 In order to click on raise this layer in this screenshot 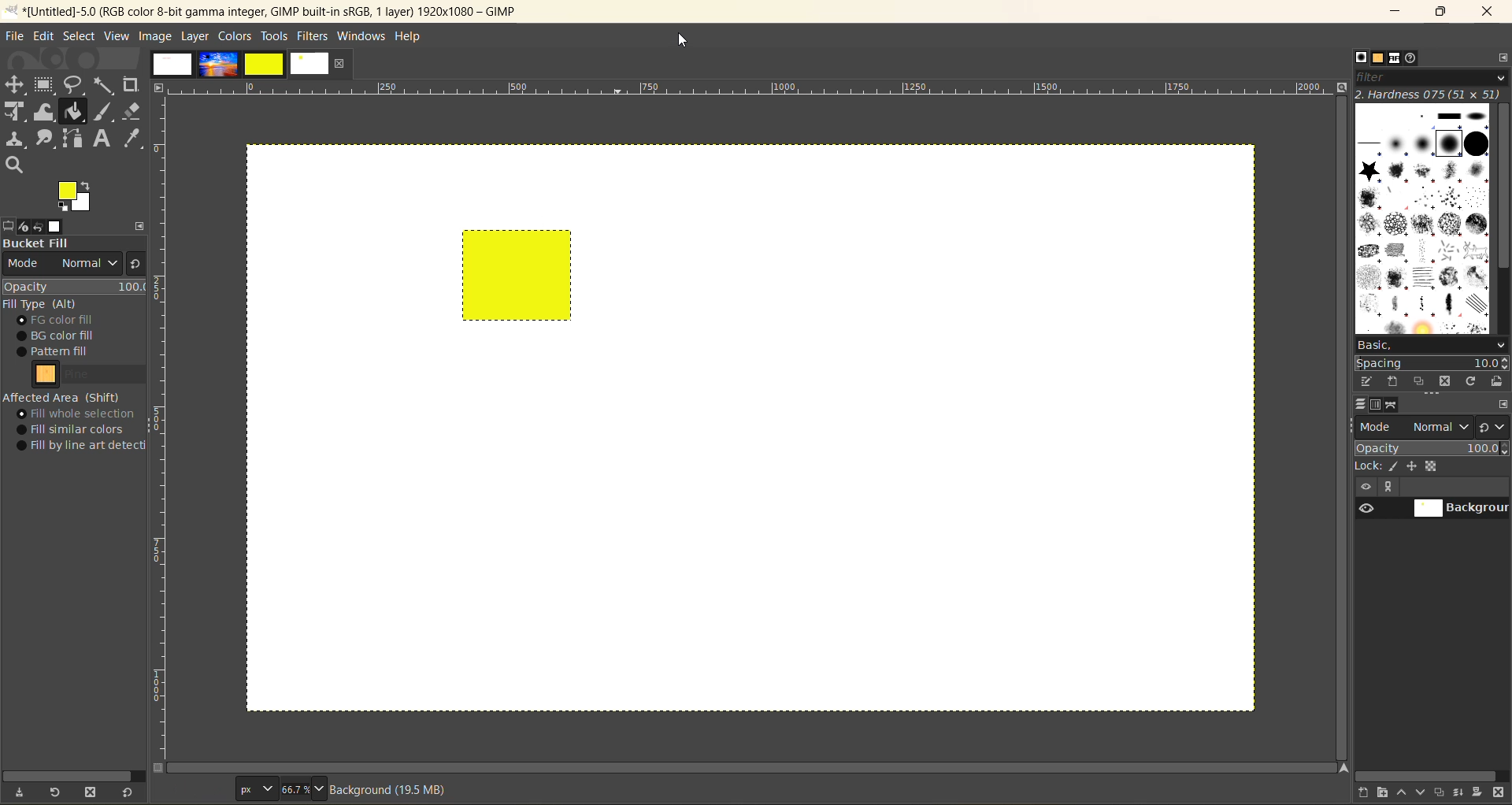, I will do `click(1405, 792)`.